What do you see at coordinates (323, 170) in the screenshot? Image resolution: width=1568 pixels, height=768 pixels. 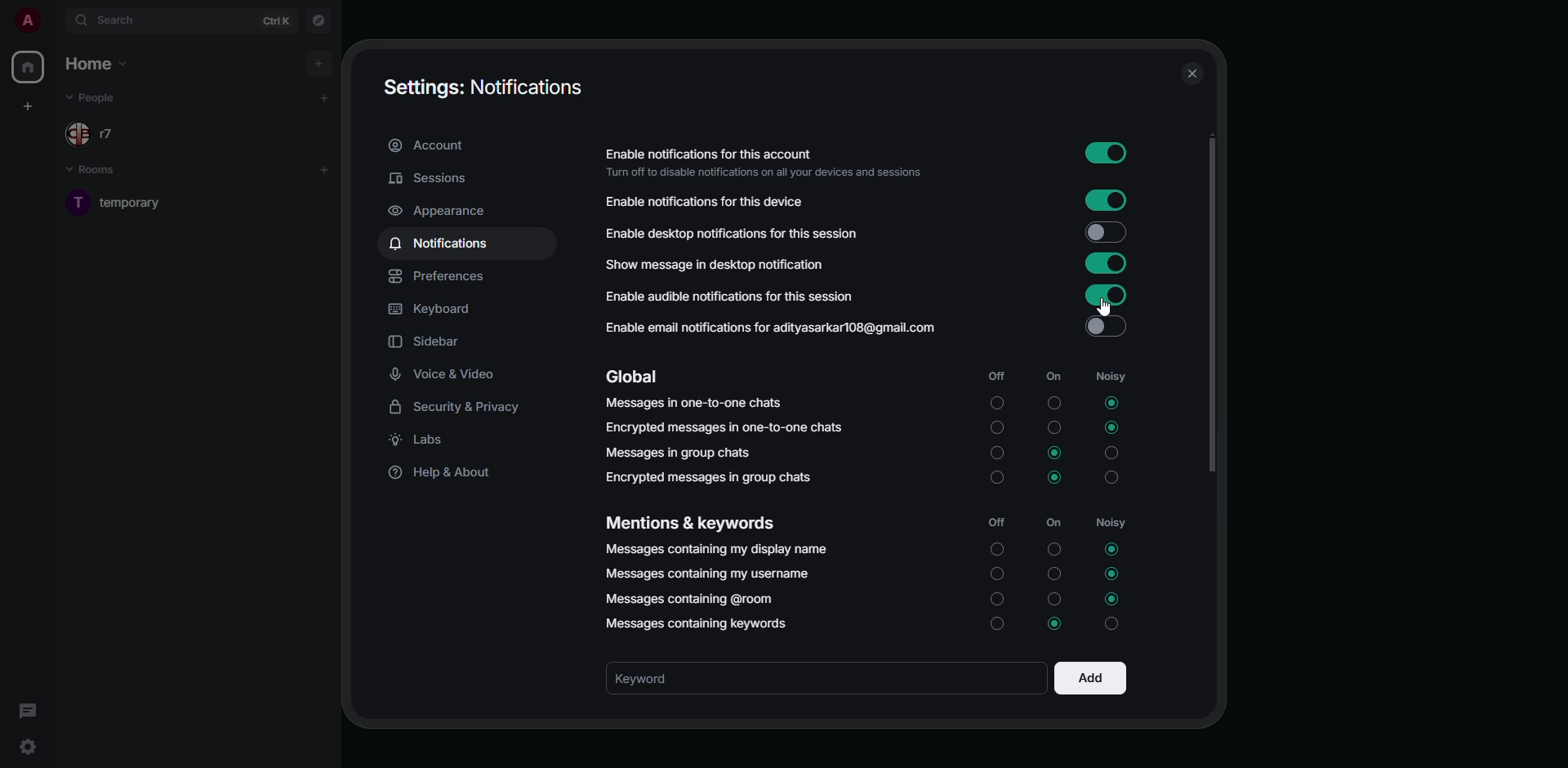 I see `add` at bounding box center [323, 170].